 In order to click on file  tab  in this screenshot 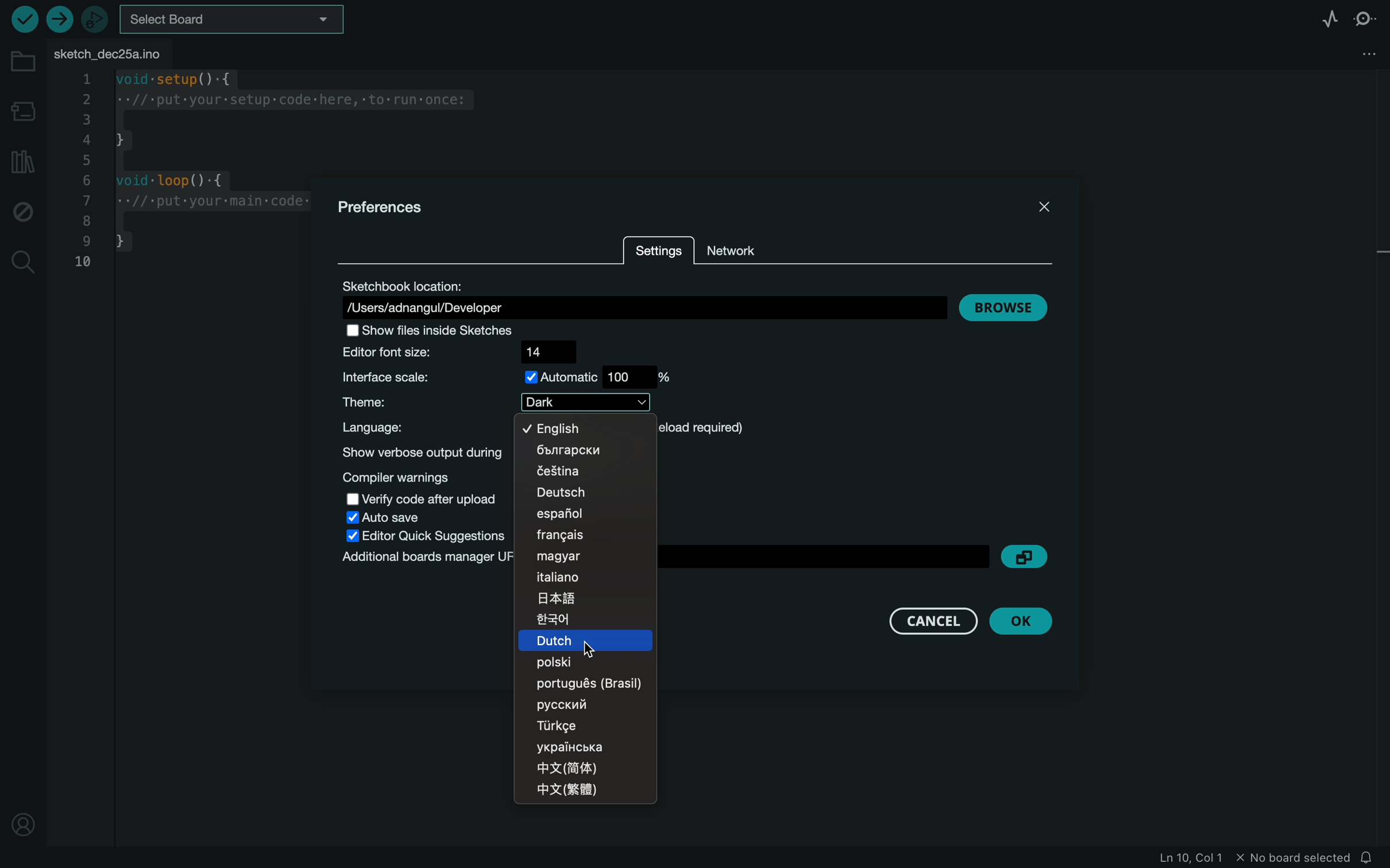, I will do `click(114, 54)`.